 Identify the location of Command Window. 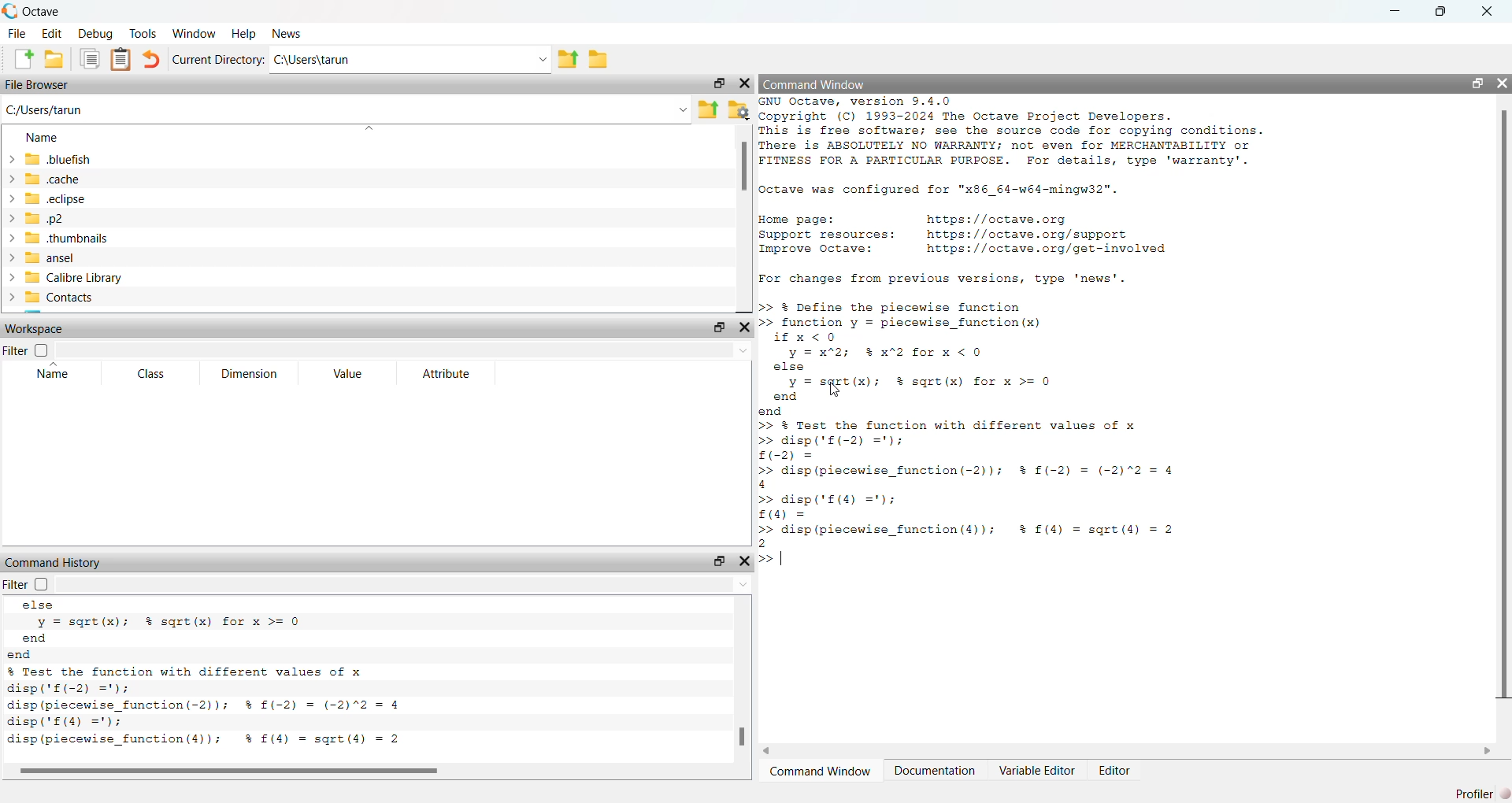
(814, 83).